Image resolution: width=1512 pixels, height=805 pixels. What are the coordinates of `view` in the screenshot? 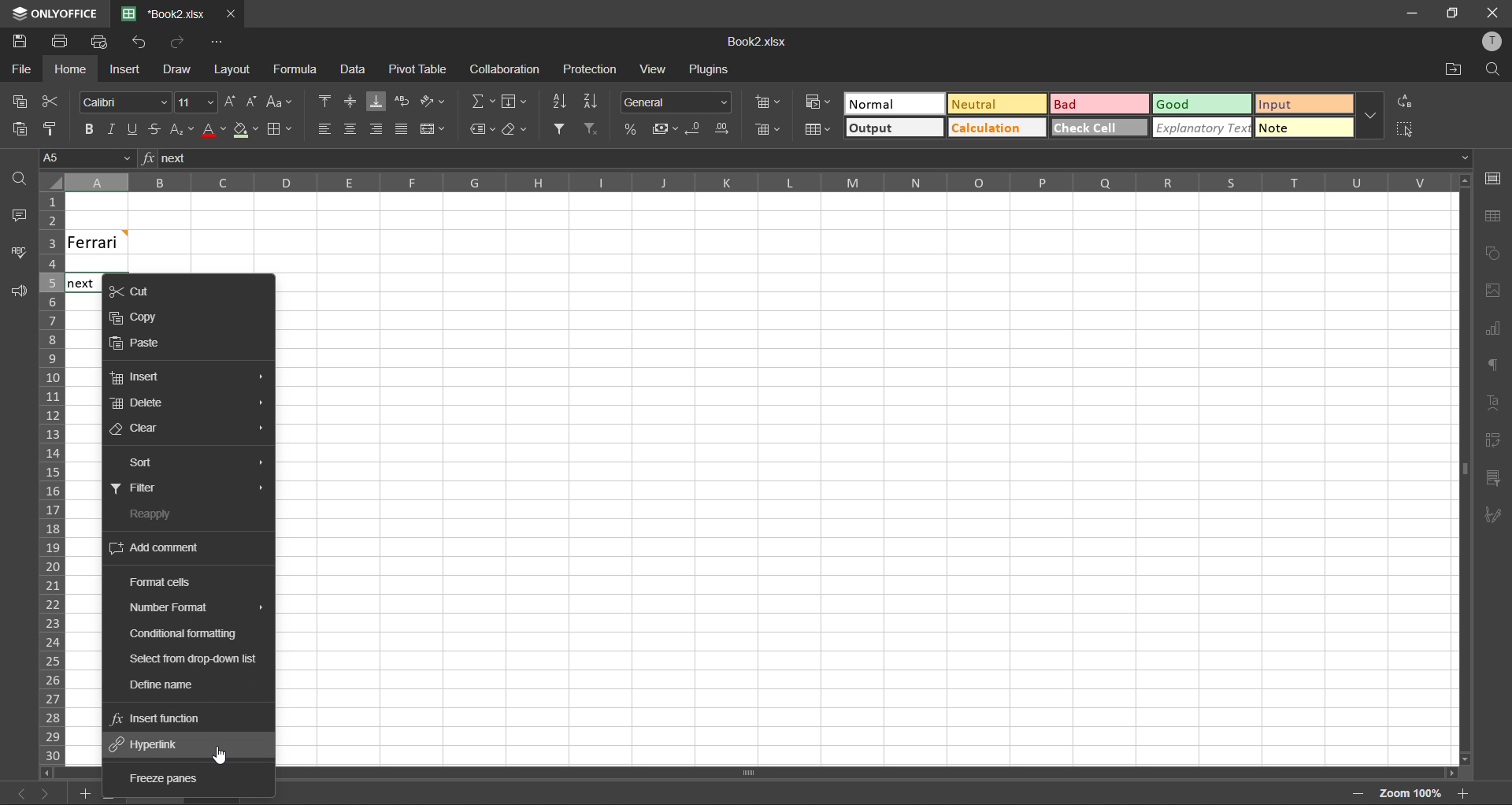 It's located at (652, 69).